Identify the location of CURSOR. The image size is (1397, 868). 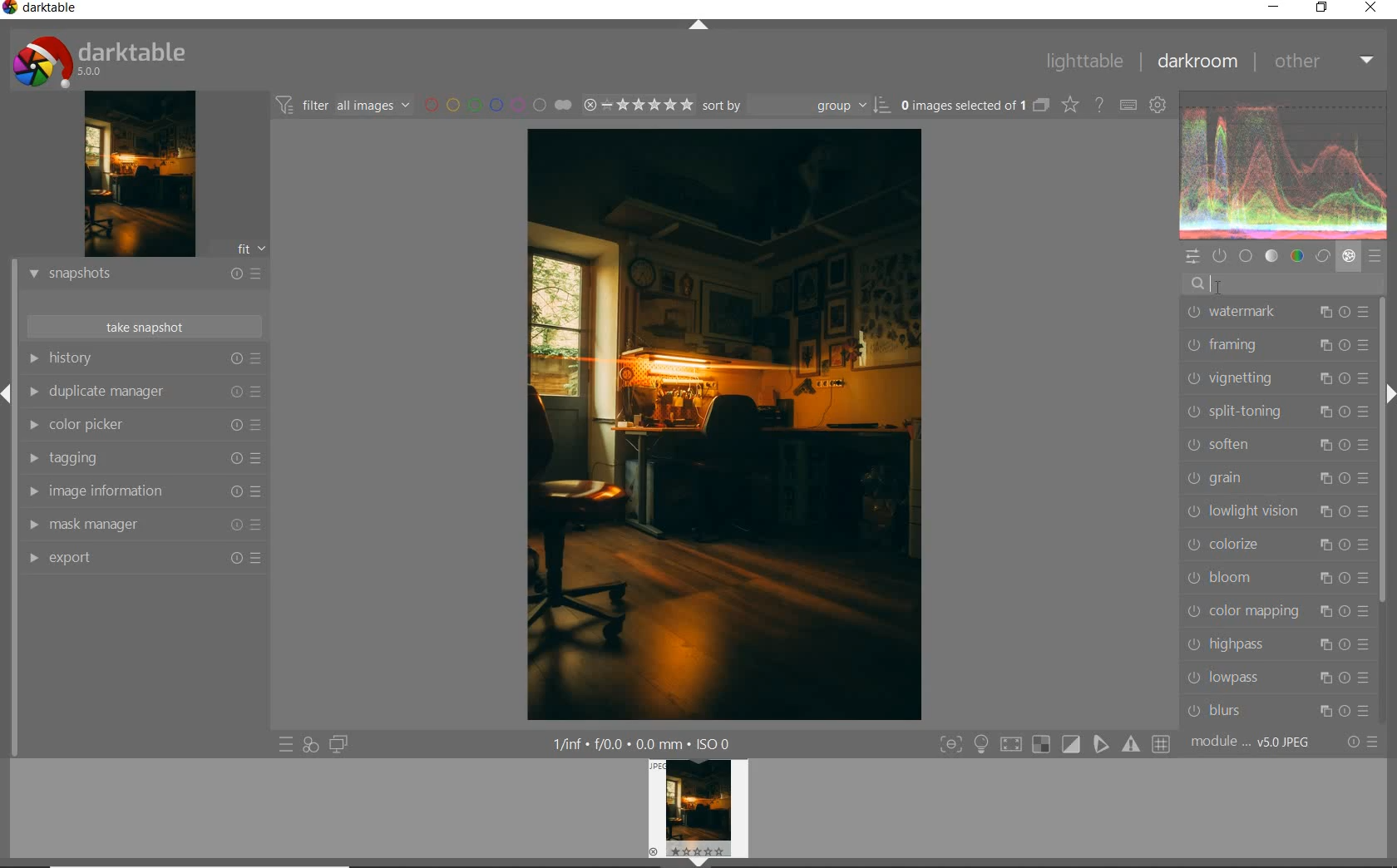
(1219, 287).